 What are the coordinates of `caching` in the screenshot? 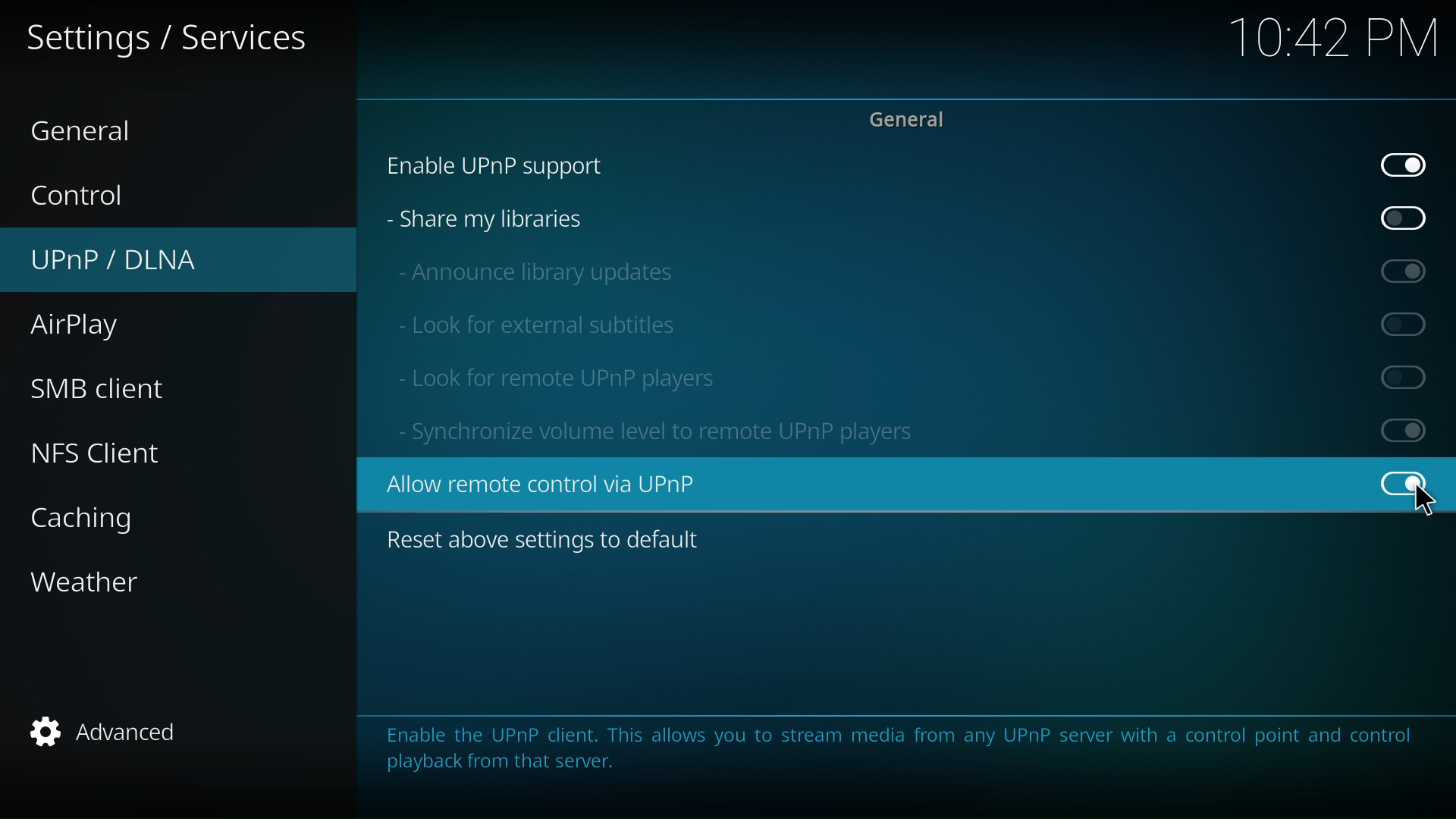 It's located at (95, 520).